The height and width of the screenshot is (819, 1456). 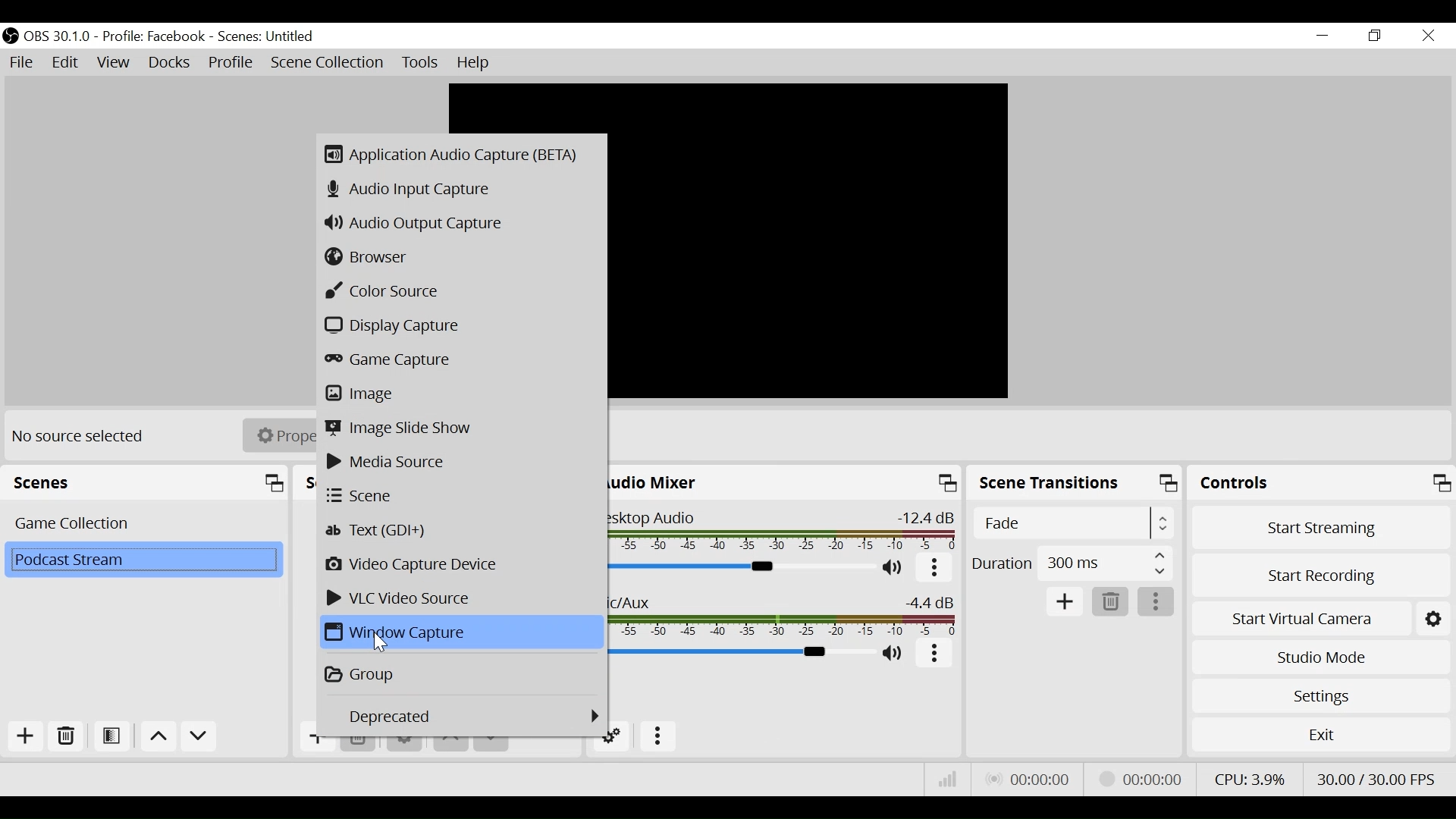 What do you see at coordinates (1066, 601) in the screenshot?
I see `Add` at bounding box center [1066, 601].